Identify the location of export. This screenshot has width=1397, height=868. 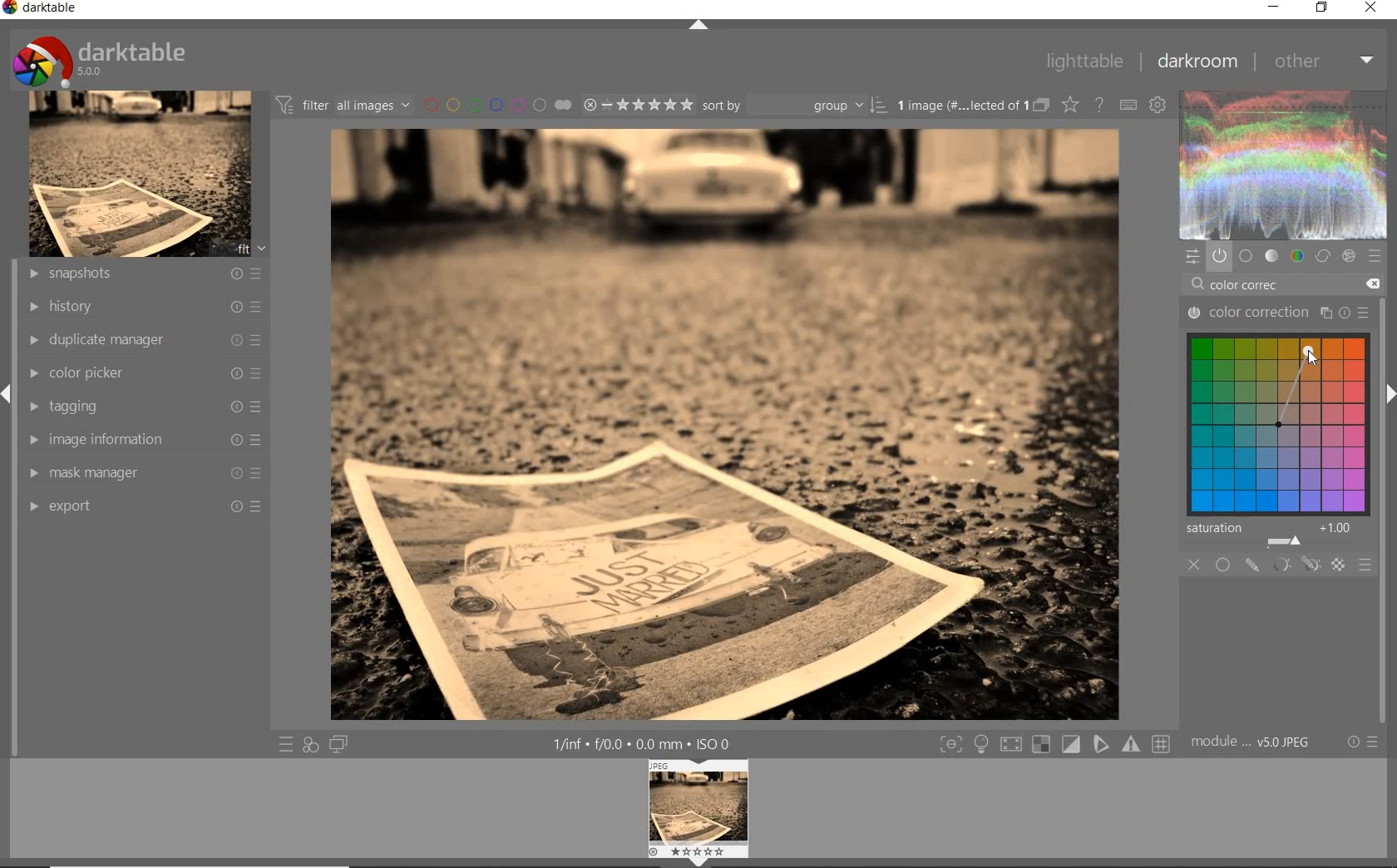
(143, 505).